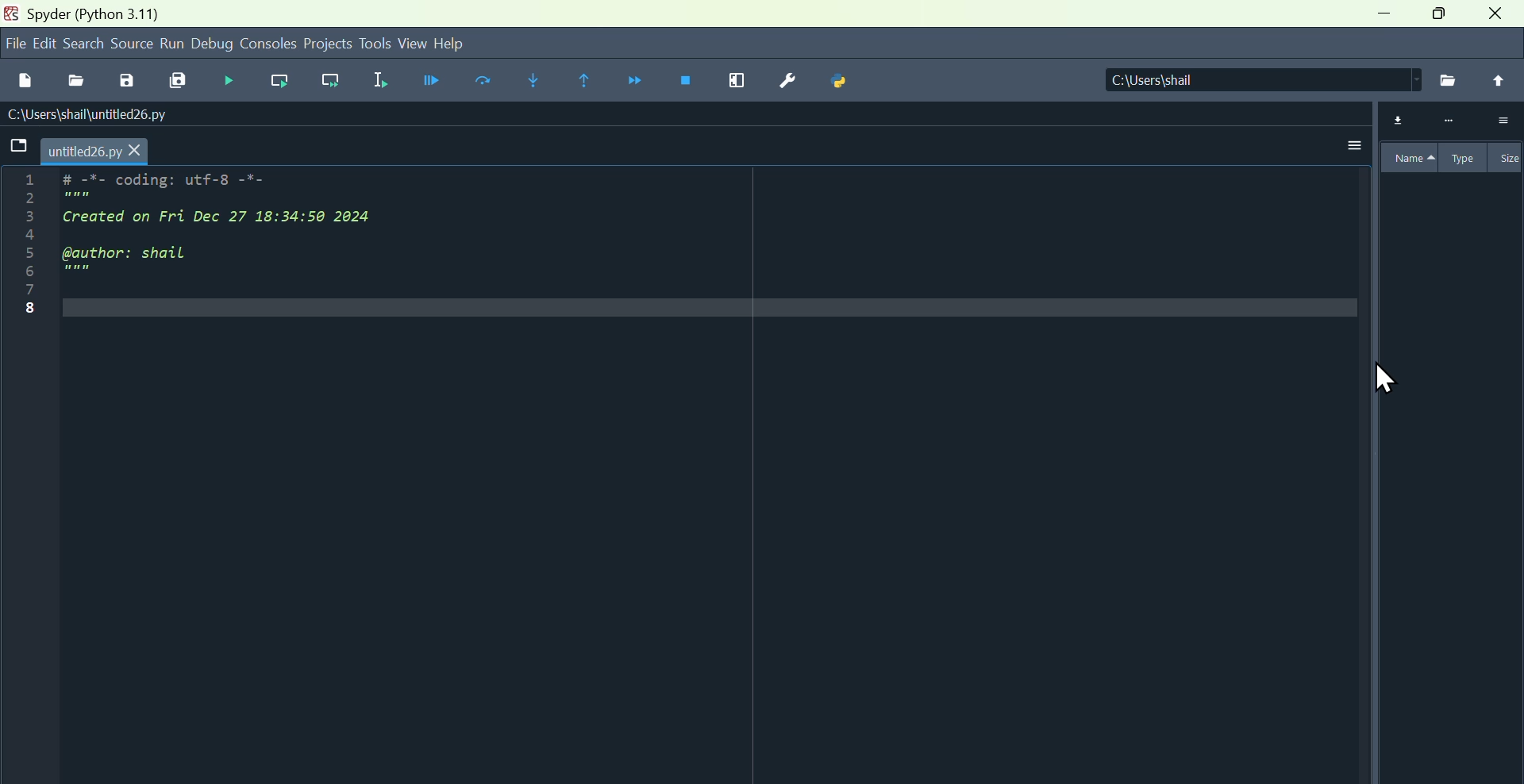 The image size is (1524, 784). What do you see at coordinates (533, 80) in the screenshot?
I see `Step into function` at bounding box center [533, 80].